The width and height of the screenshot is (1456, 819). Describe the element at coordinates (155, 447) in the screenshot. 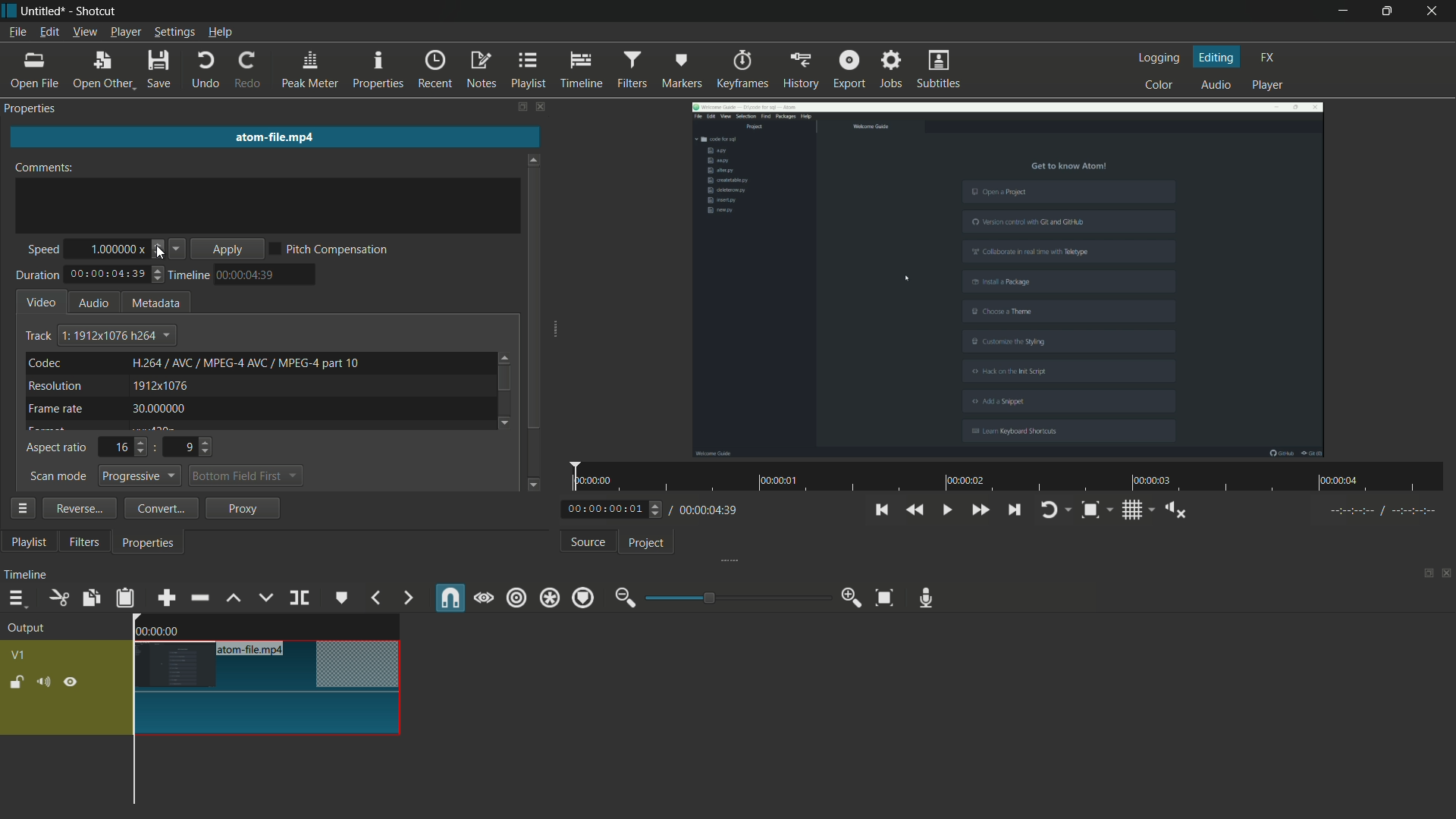

I see `:` at that location.